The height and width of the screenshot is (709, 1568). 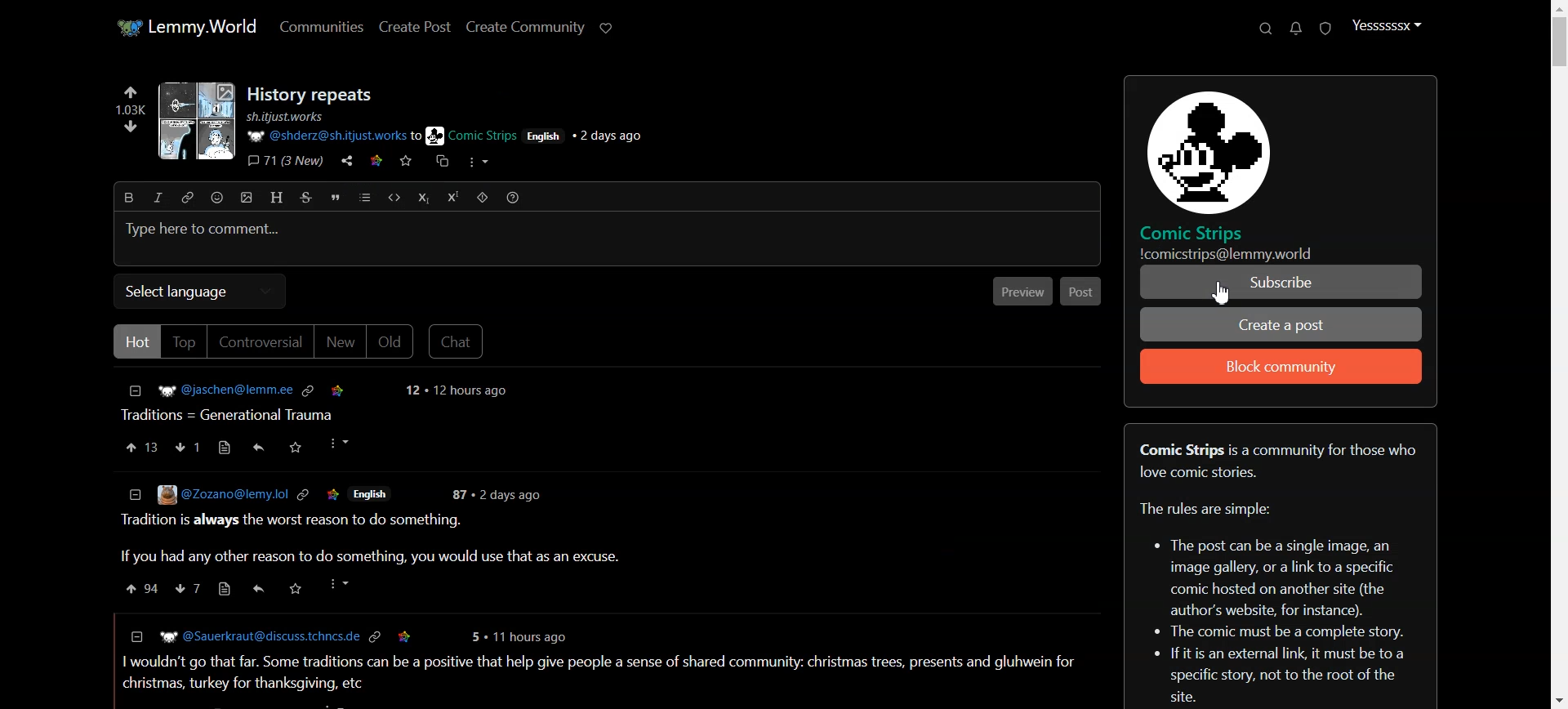 What do you see at coordinates (390, 341) in the screenshot?
I see `Old` at bounding box center [390, 341].